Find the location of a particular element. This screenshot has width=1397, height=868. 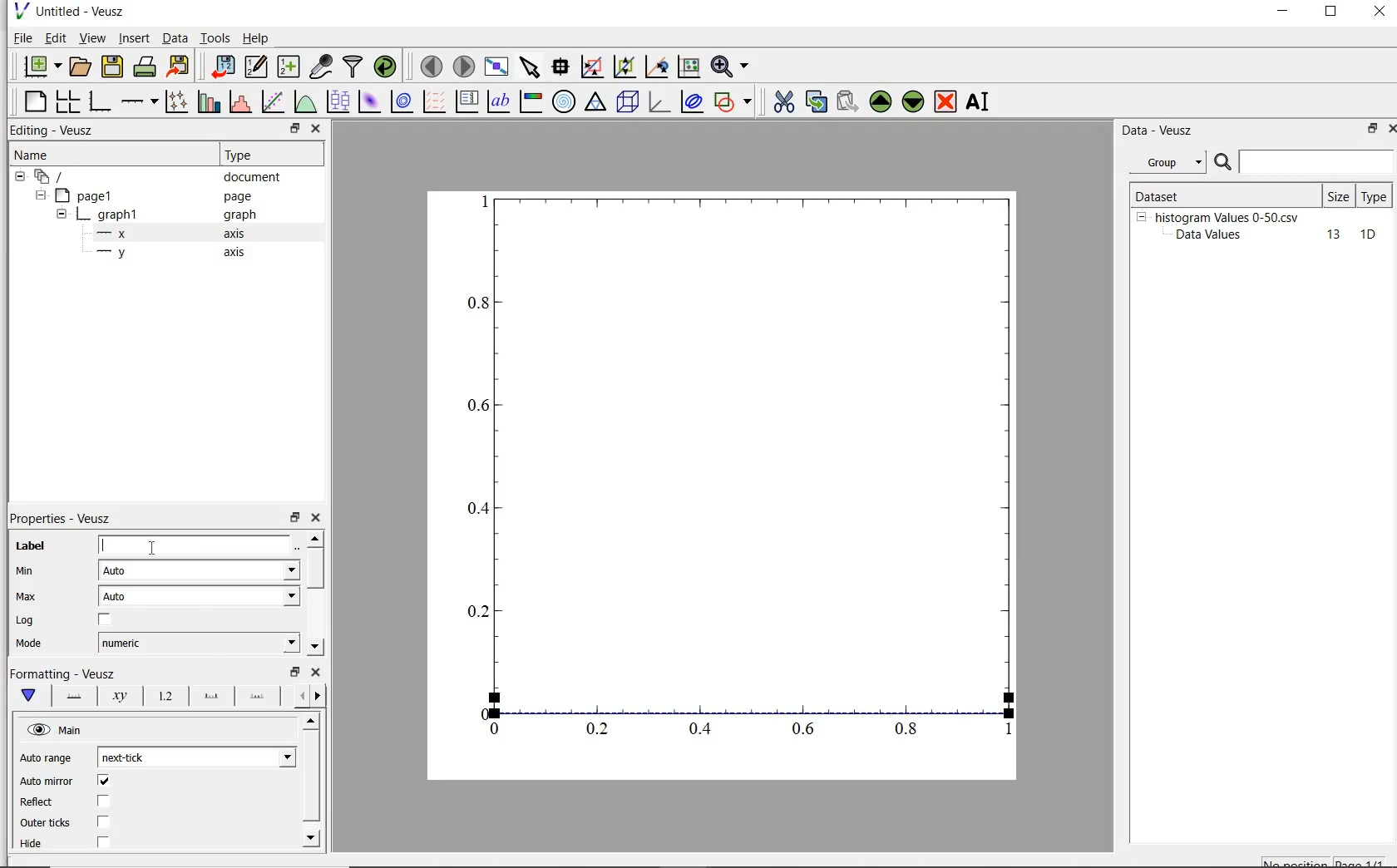

editing-veusz is located at coordinates (52, 131).